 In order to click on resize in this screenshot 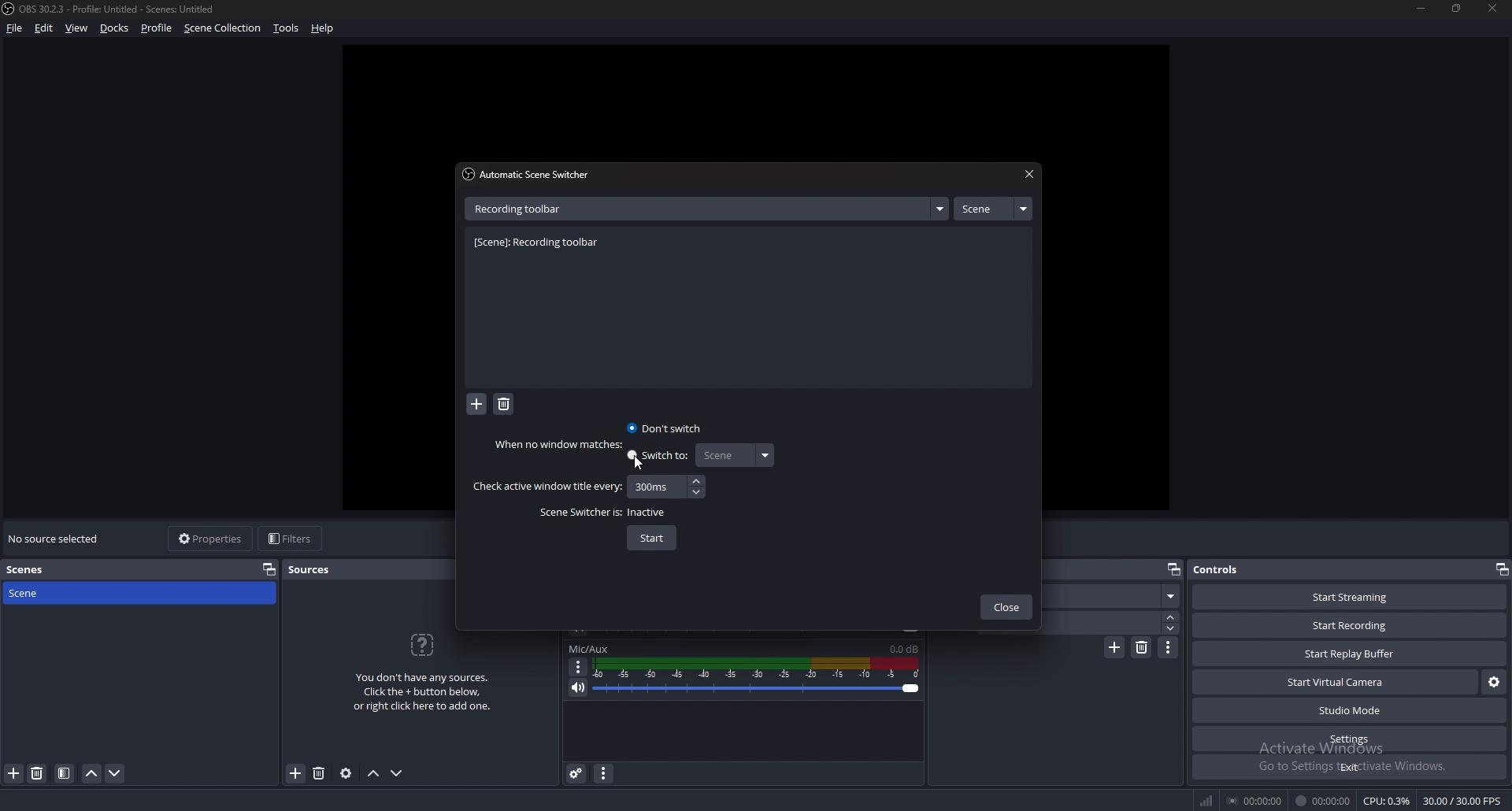, I will do `click(1458, 8)`.